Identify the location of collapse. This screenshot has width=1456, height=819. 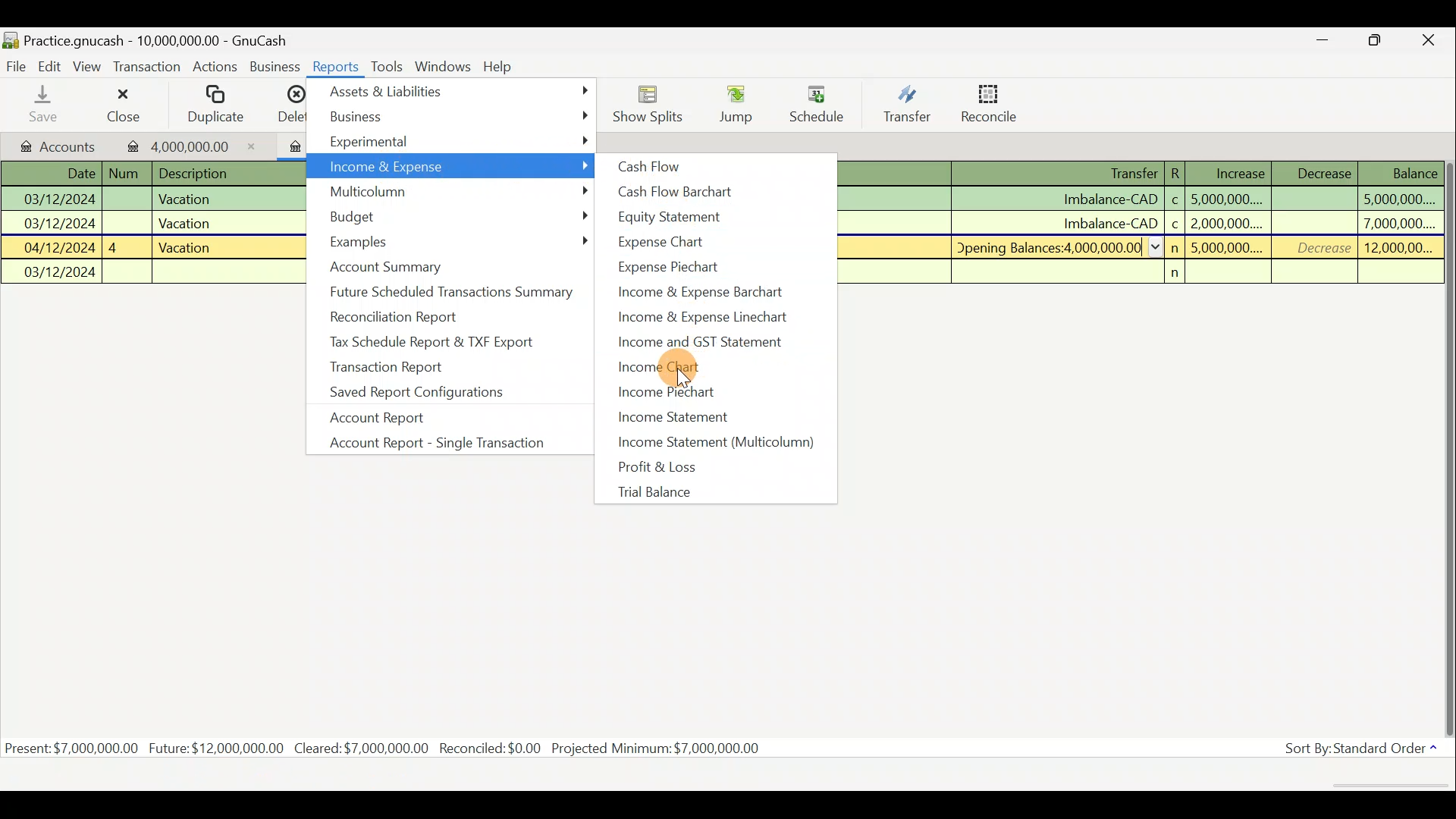
(1157, 246).